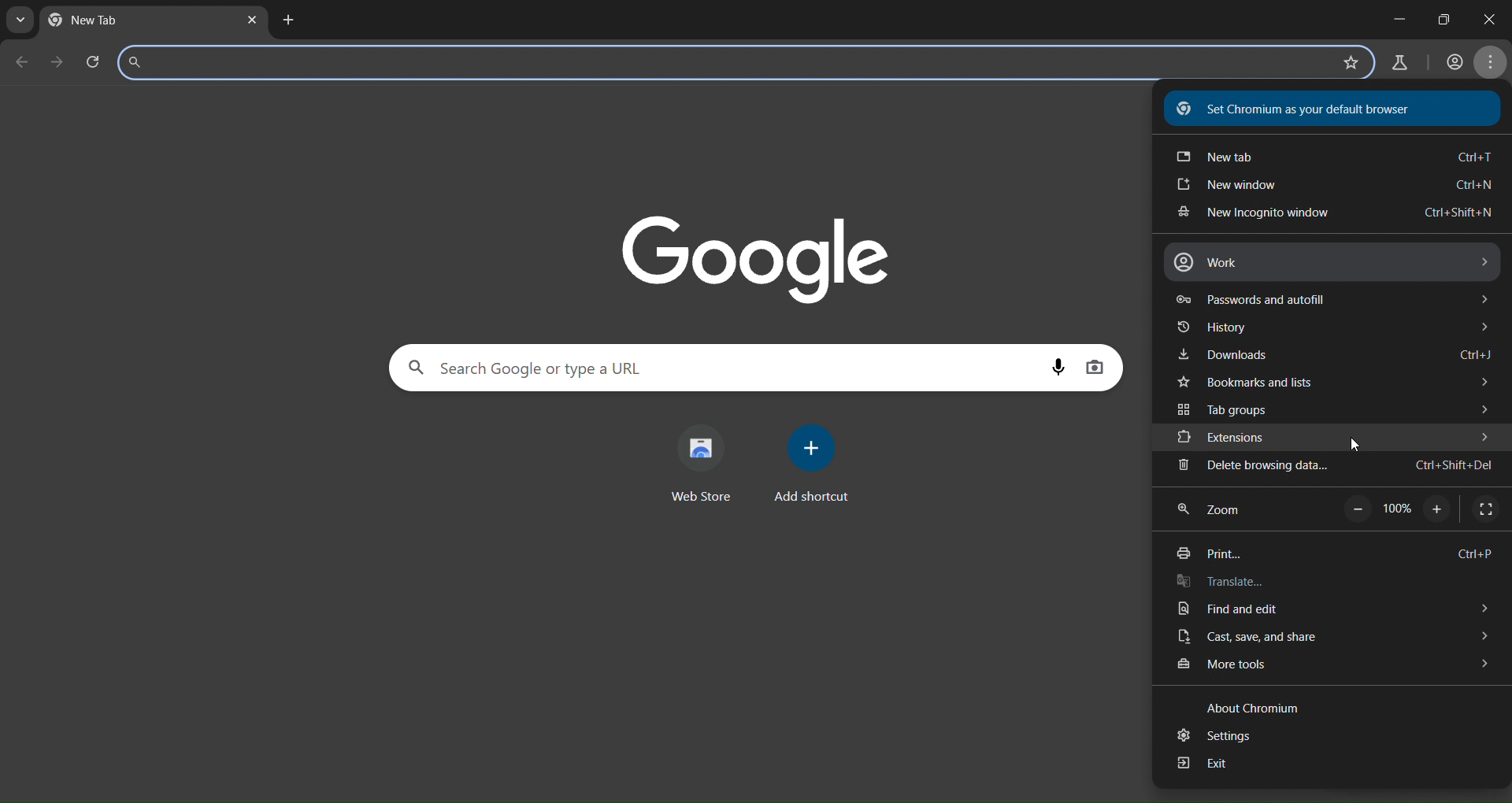  Describe the element at coordinates (751, 253) in the screenshot. I see `Google` at that location.